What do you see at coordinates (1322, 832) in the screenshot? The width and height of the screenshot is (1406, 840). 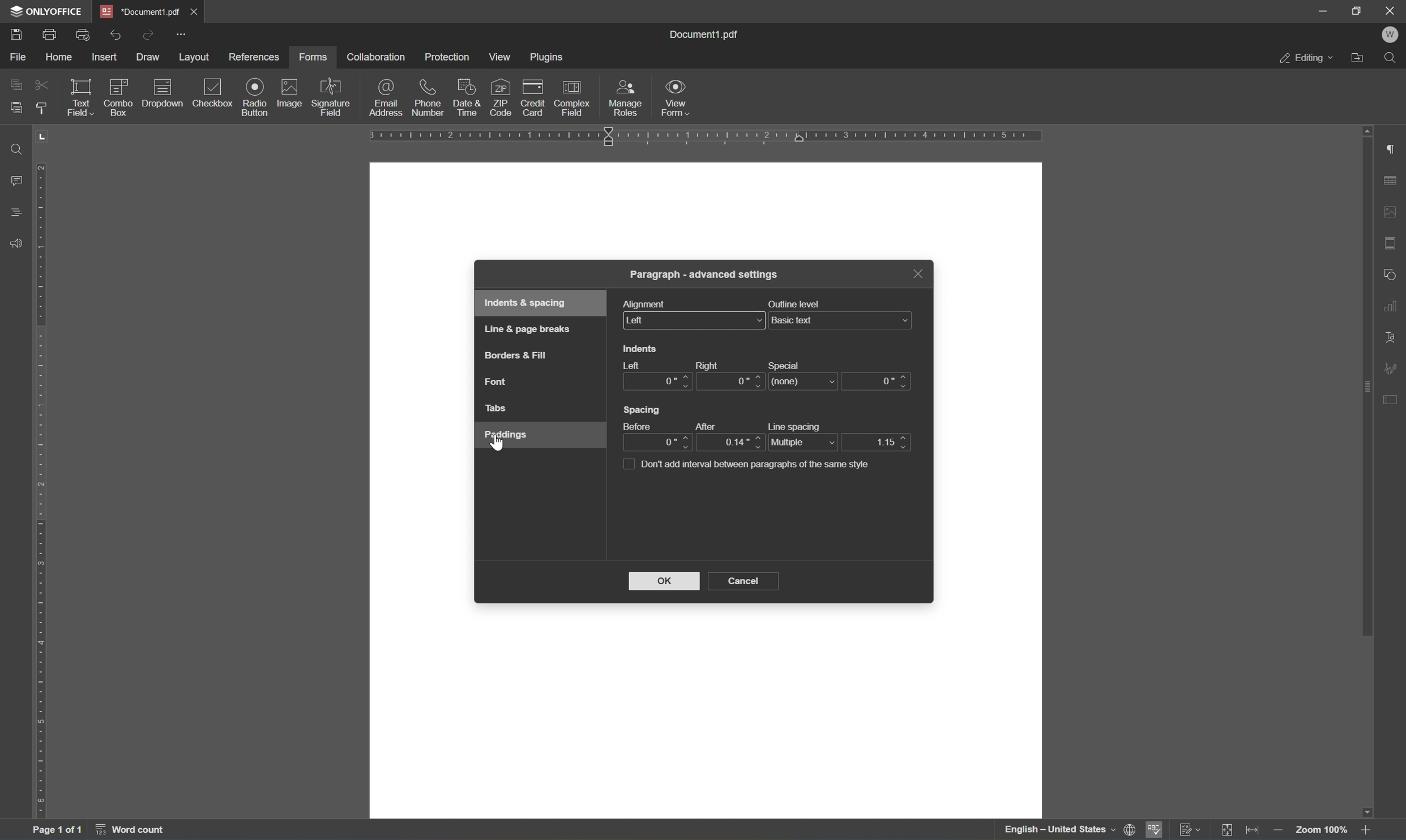 I see `zoom 100%` at bounding box center [1322, 832].